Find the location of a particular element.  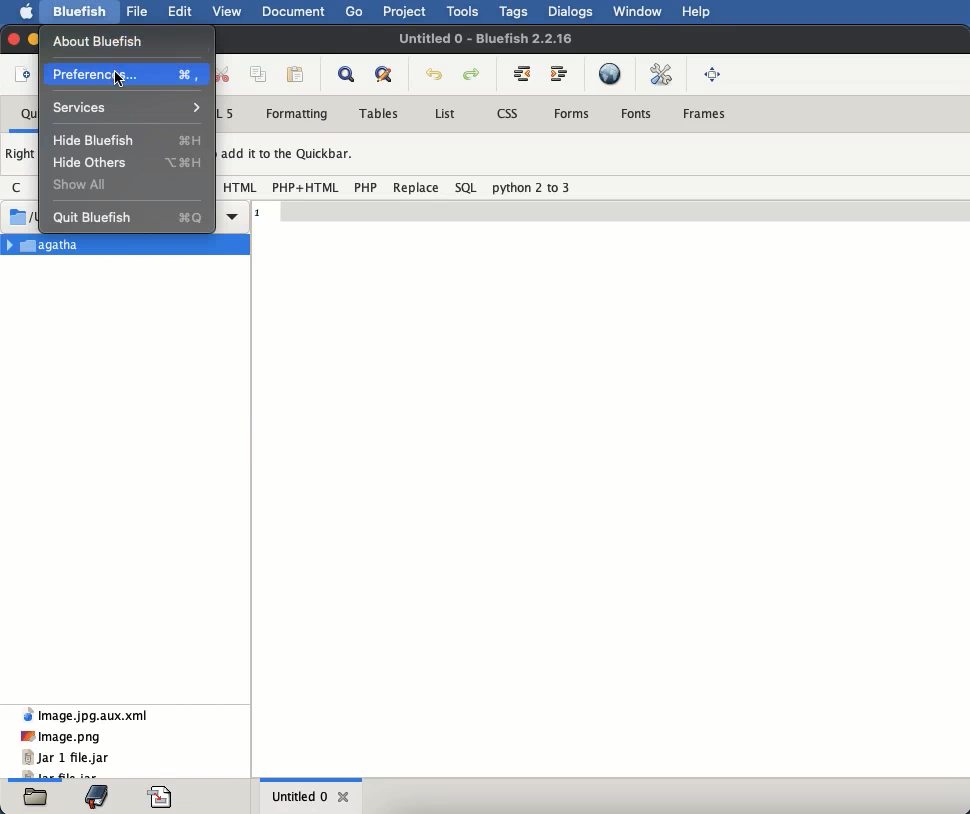

python 2 to 3 is located at coordinates (532, 187).